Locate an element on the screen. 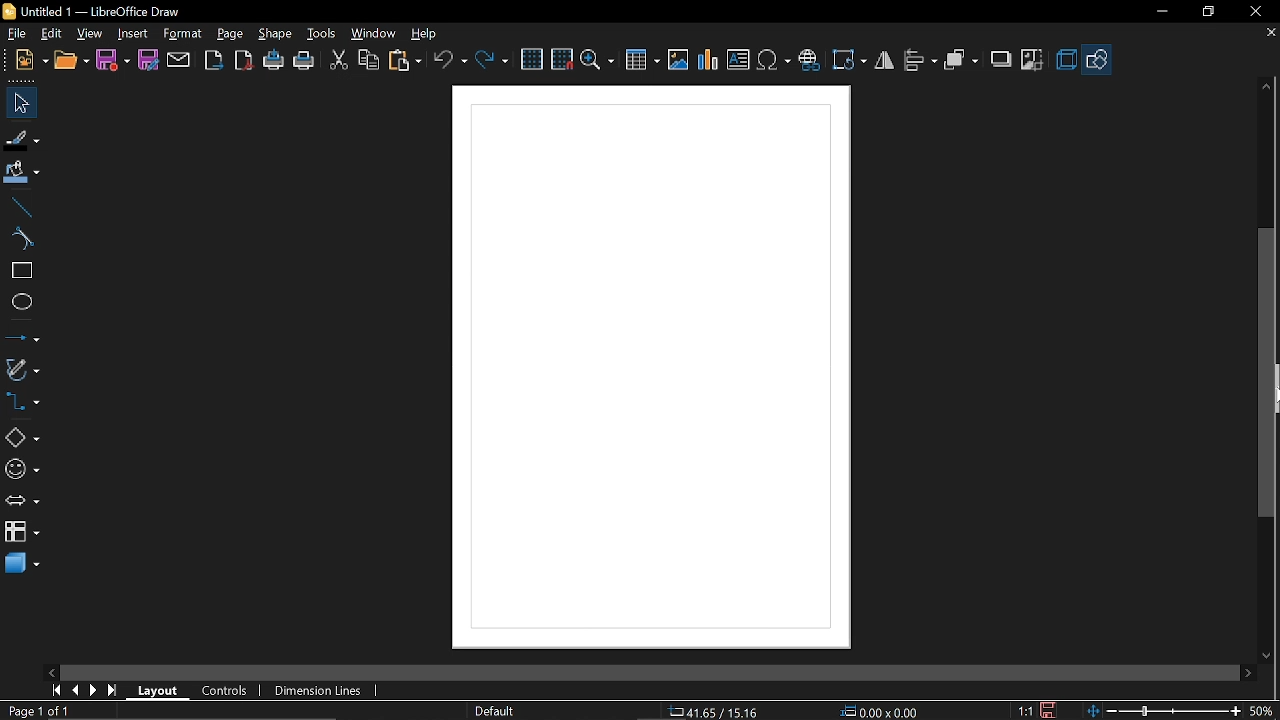 Image resolution: width=1280 pixels, height=720 pixels. cut is located at coordinates (340, 60).